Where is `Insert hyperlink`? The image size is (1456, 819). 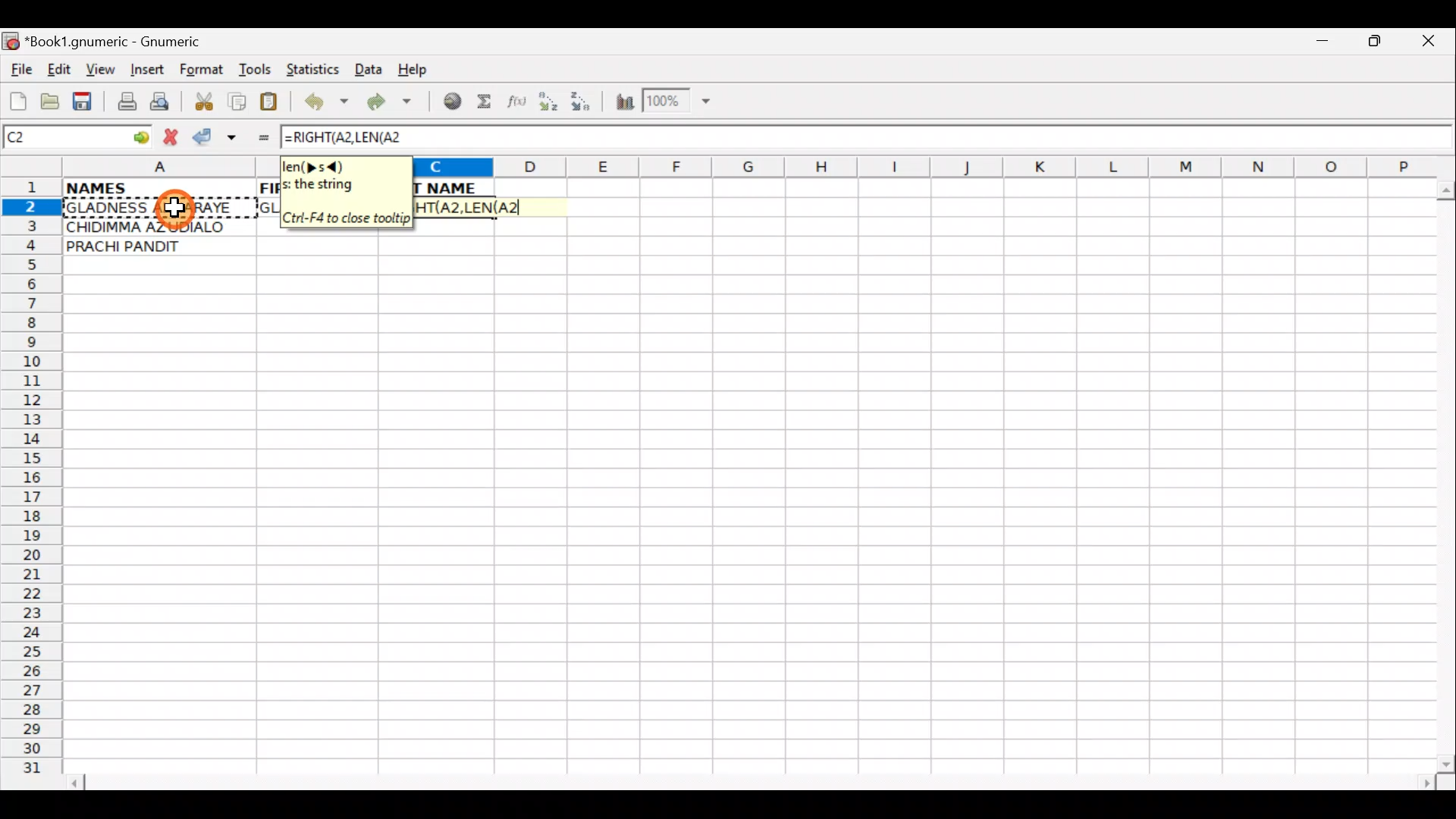 Insert hyperlink is located at coordinates (450, 102).